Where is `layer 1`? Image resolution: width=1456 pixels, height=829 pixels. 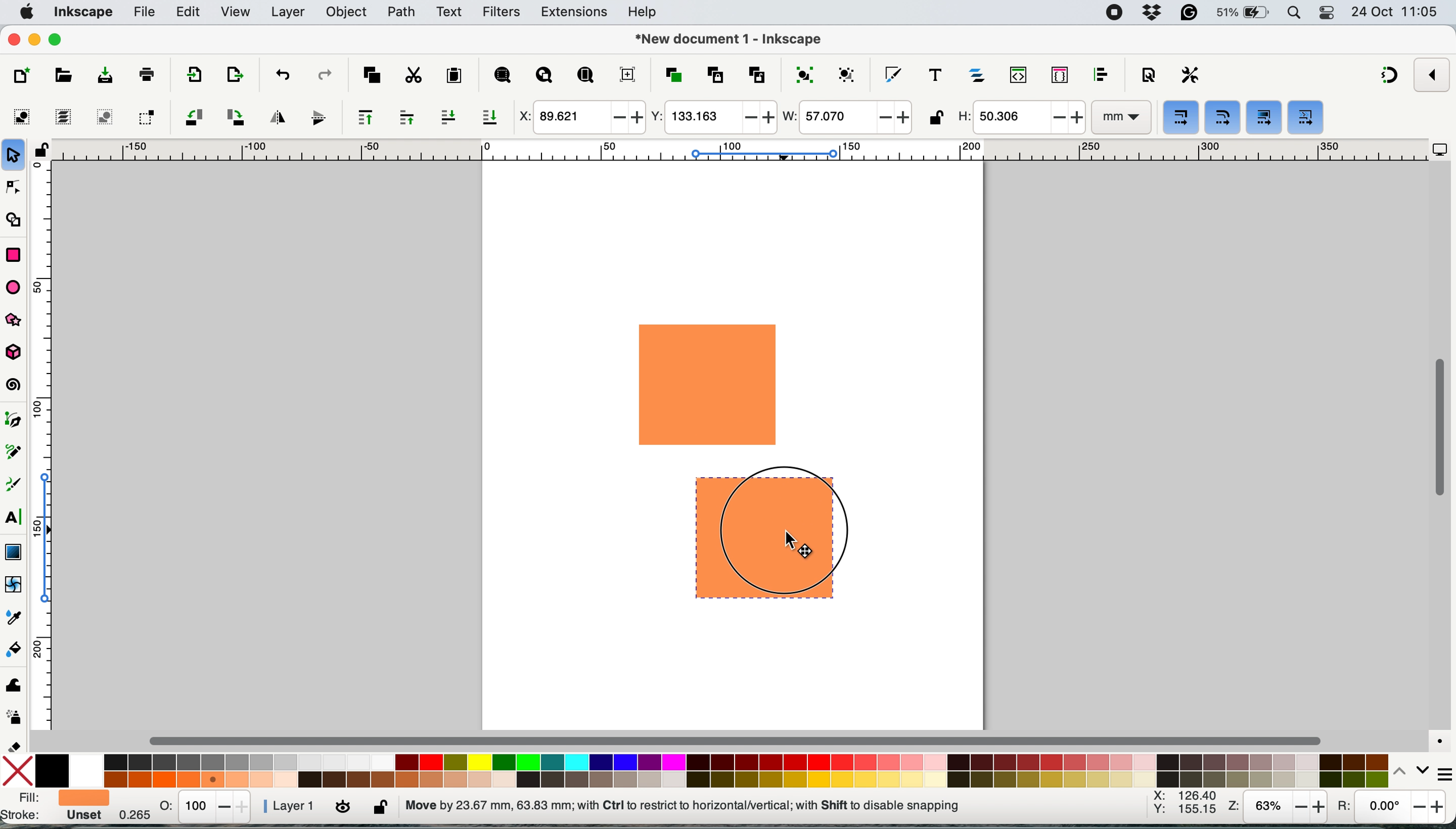 layer 1 is located at coordinates (290, 806).